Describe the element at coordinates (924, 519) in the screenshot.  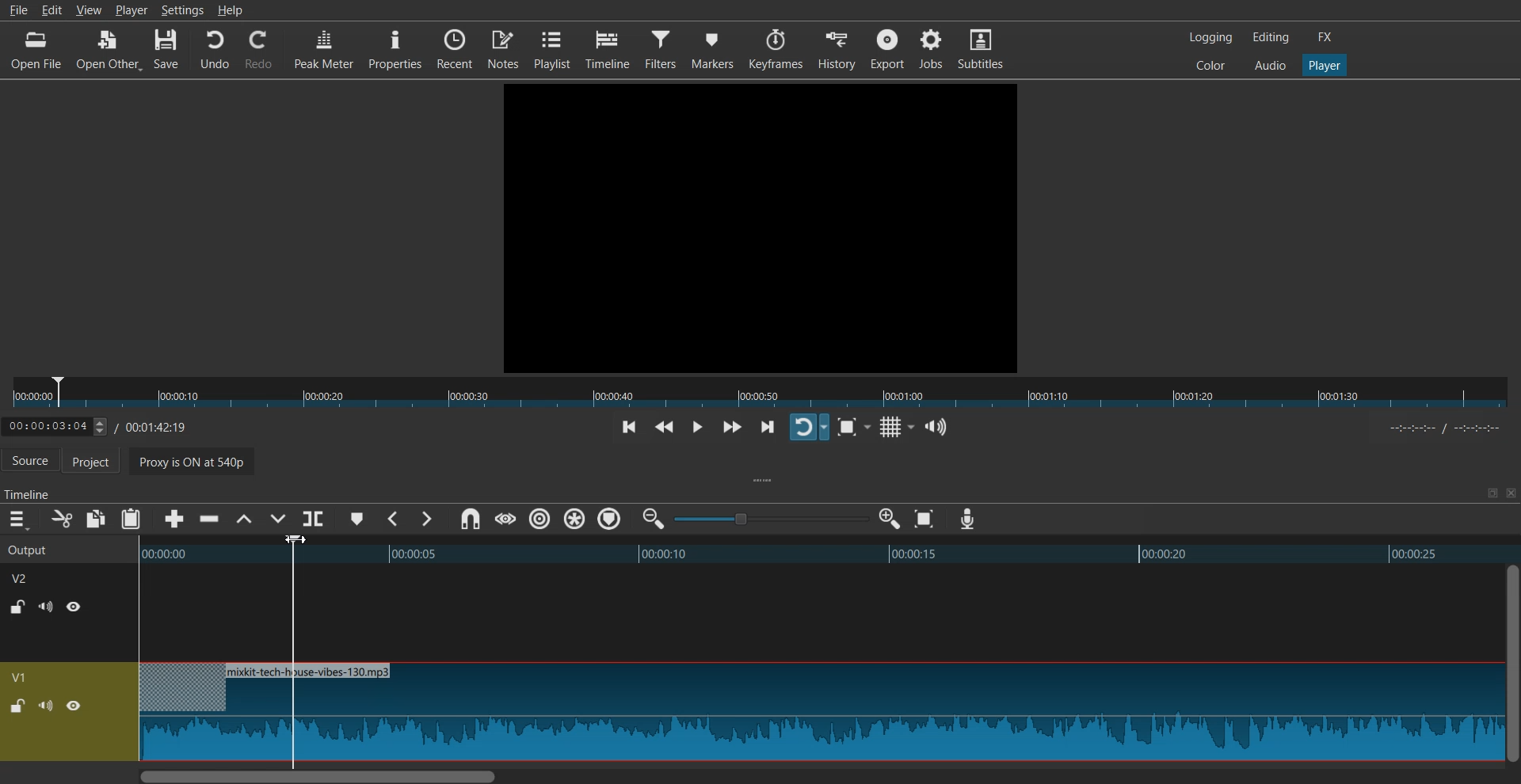
I see `Zoom timeline to Fit` at that location.